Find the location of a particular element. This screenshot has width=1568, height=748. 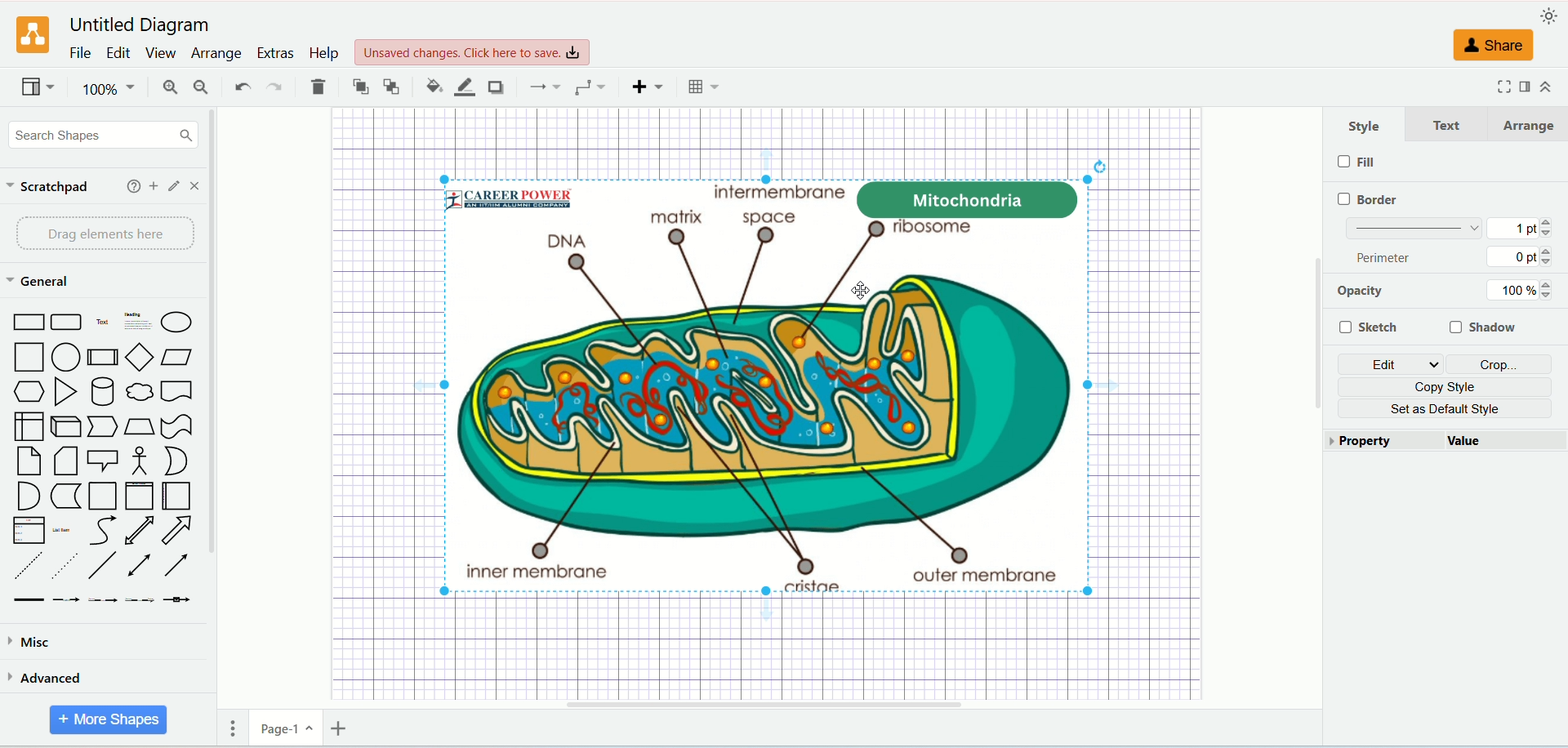

help is located at coordinates (325, 52).